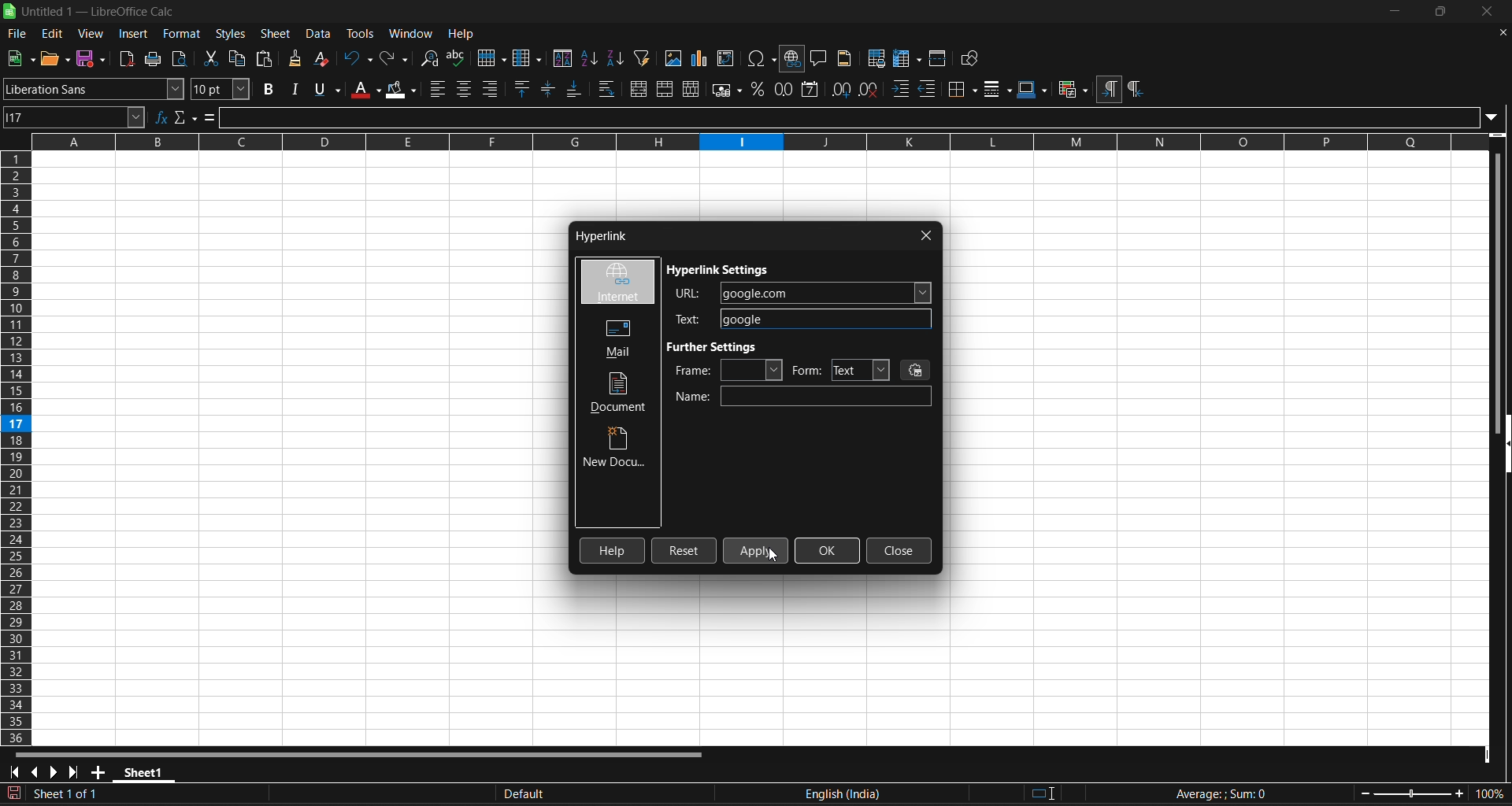 The height and width of the screenshot is (806, 1512). Describe the element at coordinates (860, 115) in the screenshot. I see `input line` at that location.